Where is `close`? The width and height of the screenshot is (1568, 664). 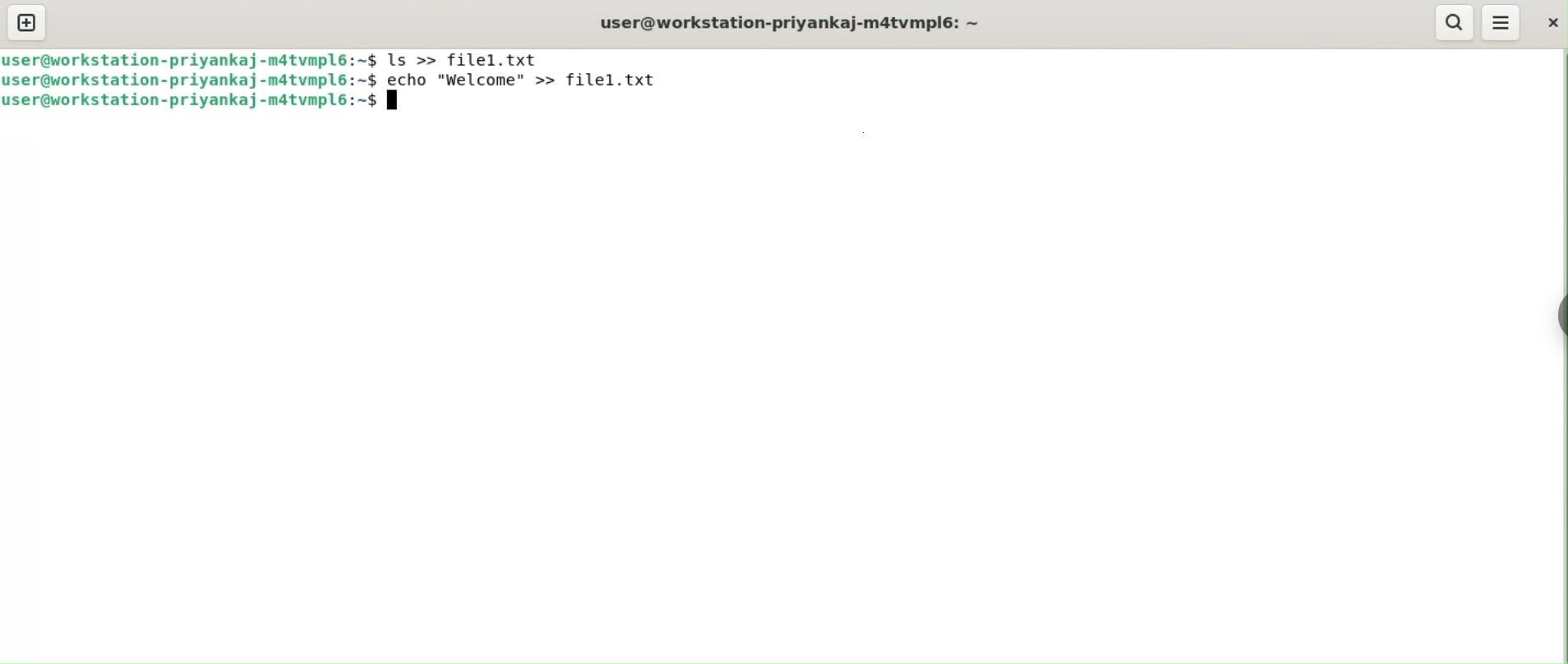 close is located at coordinates (1552, 26).